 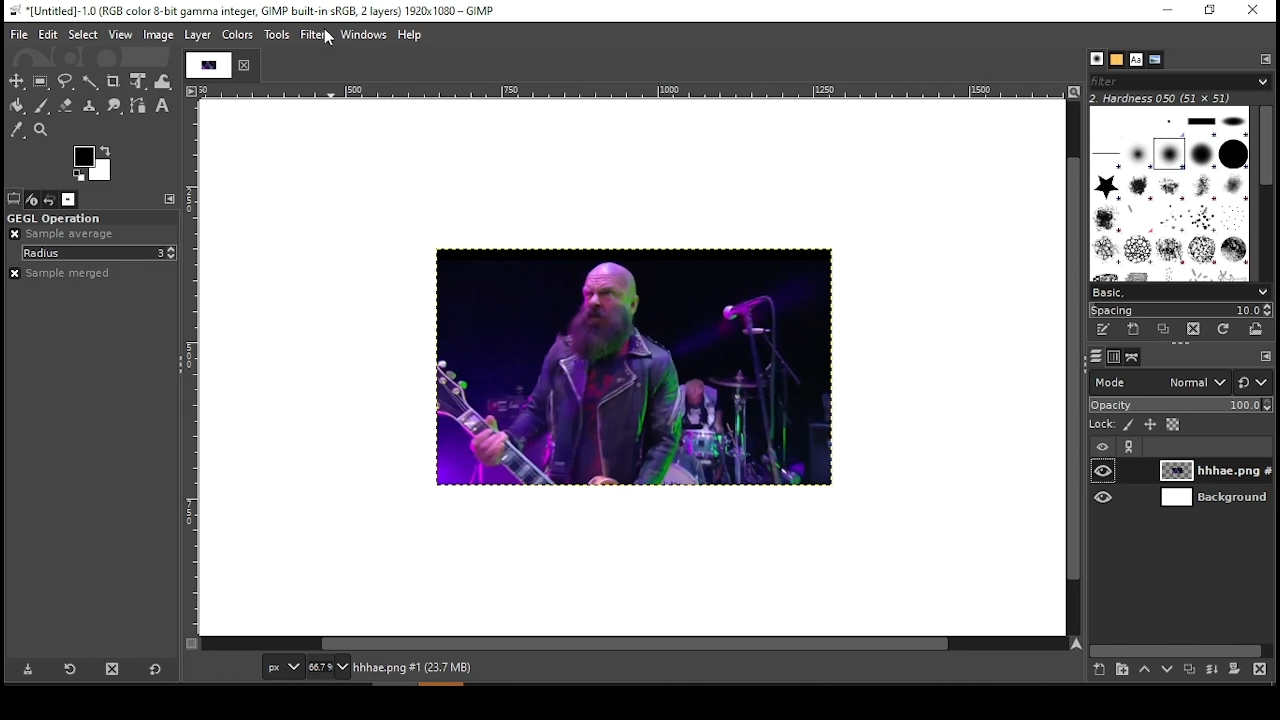 I want to click on zoom status, so click(x=329, y=666).